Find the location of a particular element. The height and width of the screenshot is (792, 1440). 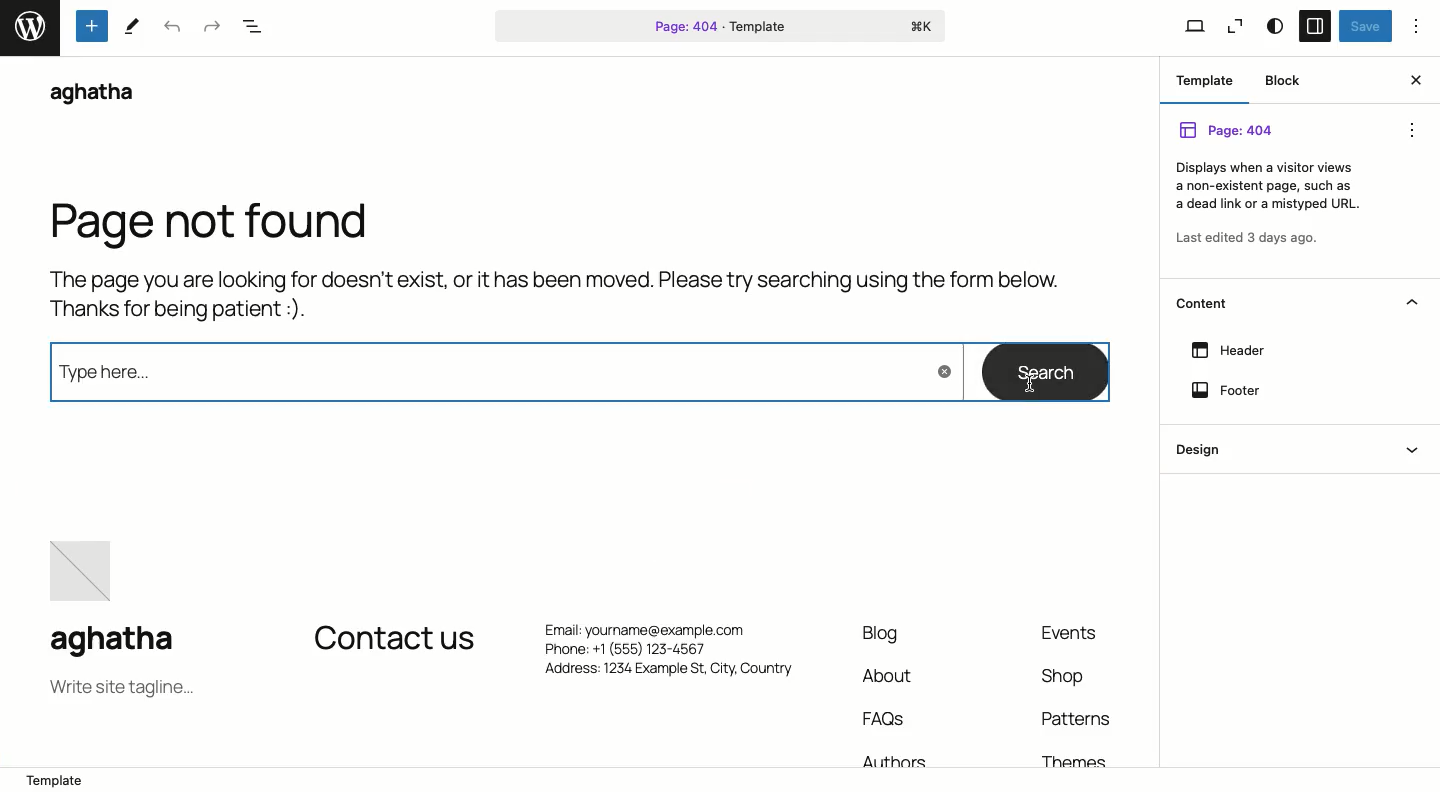

Header is located at coordinates (1216, 348).